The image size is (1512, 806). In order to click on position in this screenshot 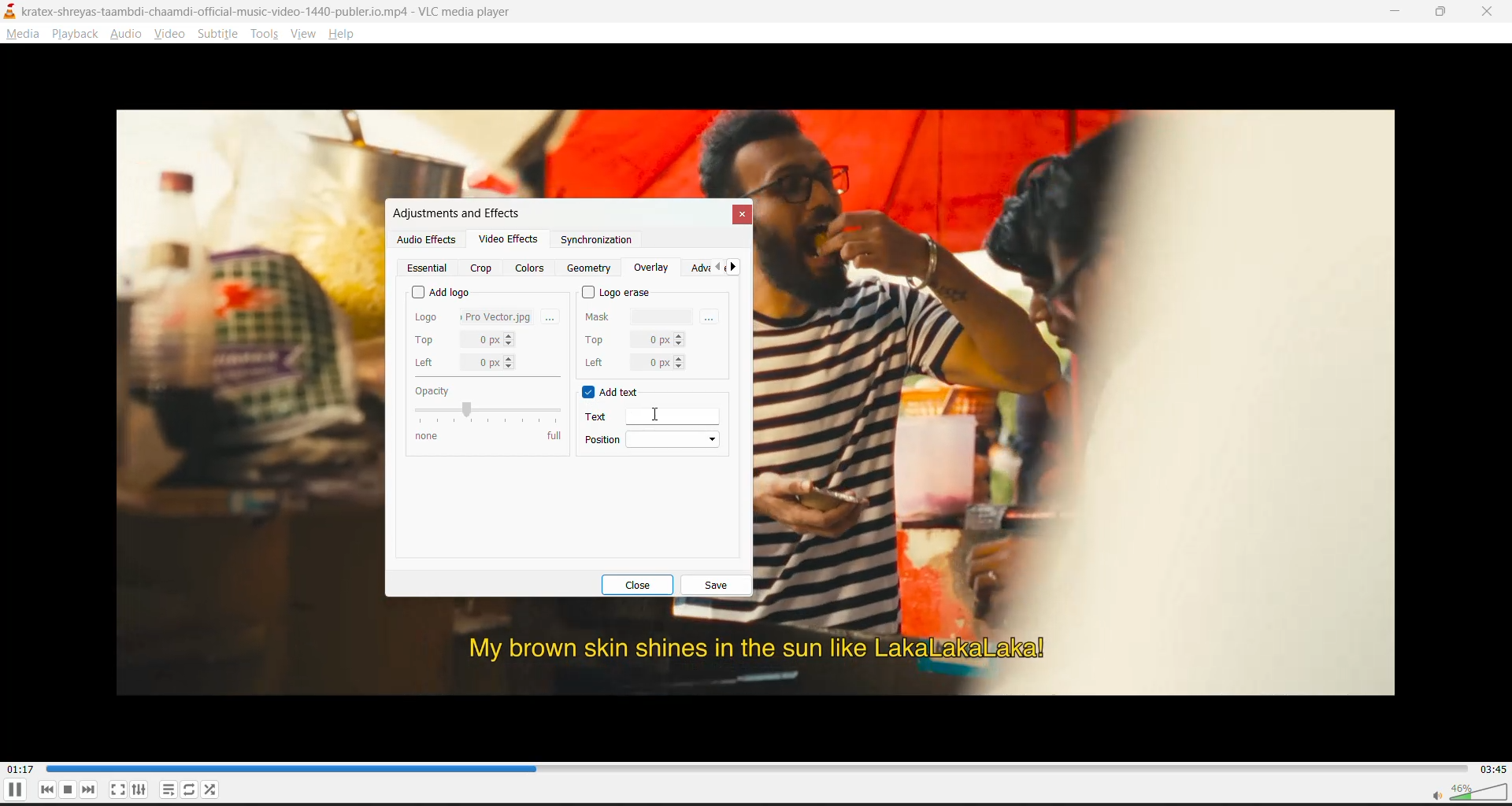, I will do `click(655, 438)`.